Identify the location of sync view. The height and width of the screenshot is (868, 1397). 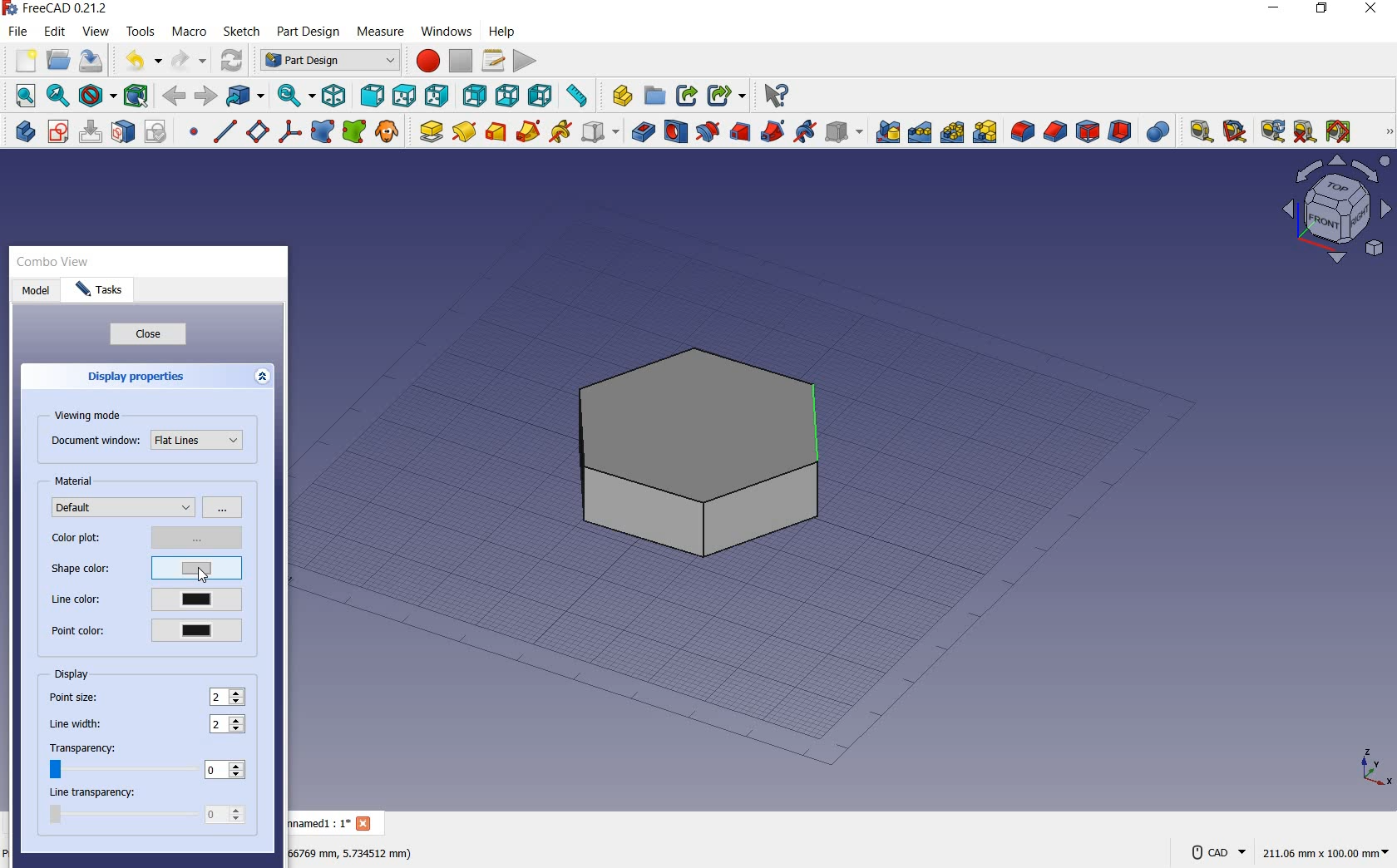
(294, 95).